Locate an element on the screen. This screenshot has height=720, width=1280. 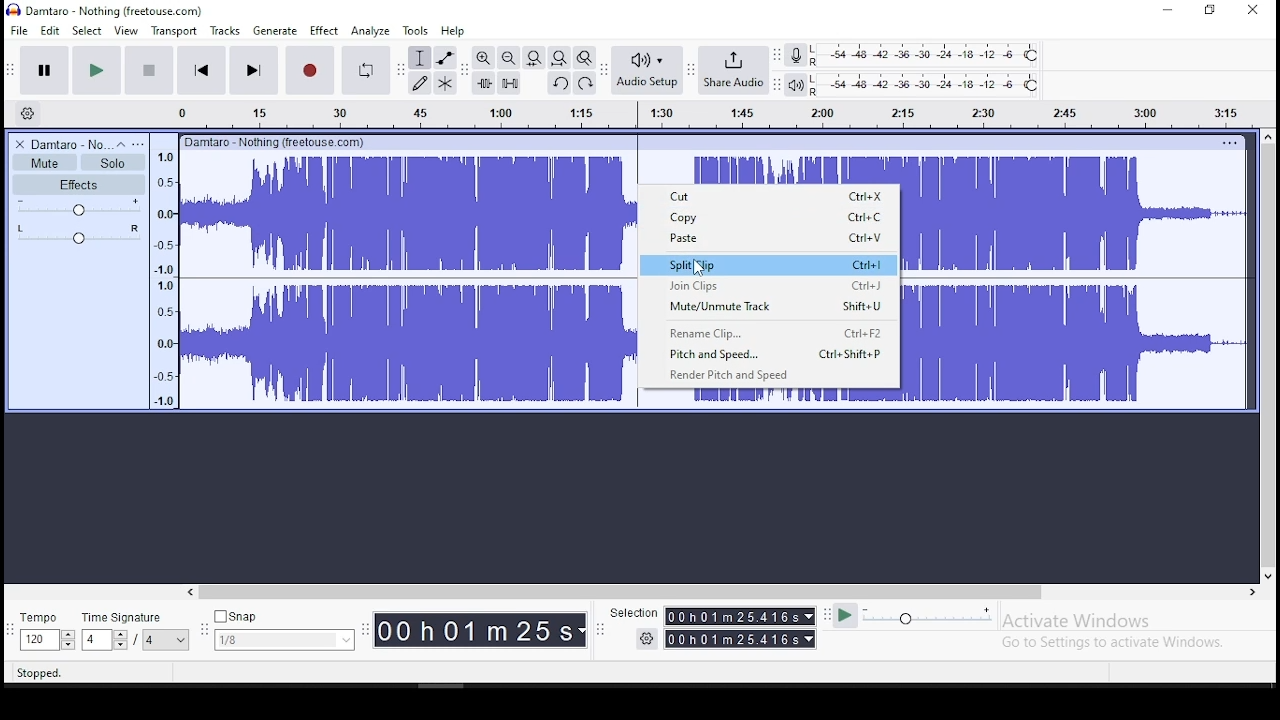
options is located at coordinates (1227, 142).